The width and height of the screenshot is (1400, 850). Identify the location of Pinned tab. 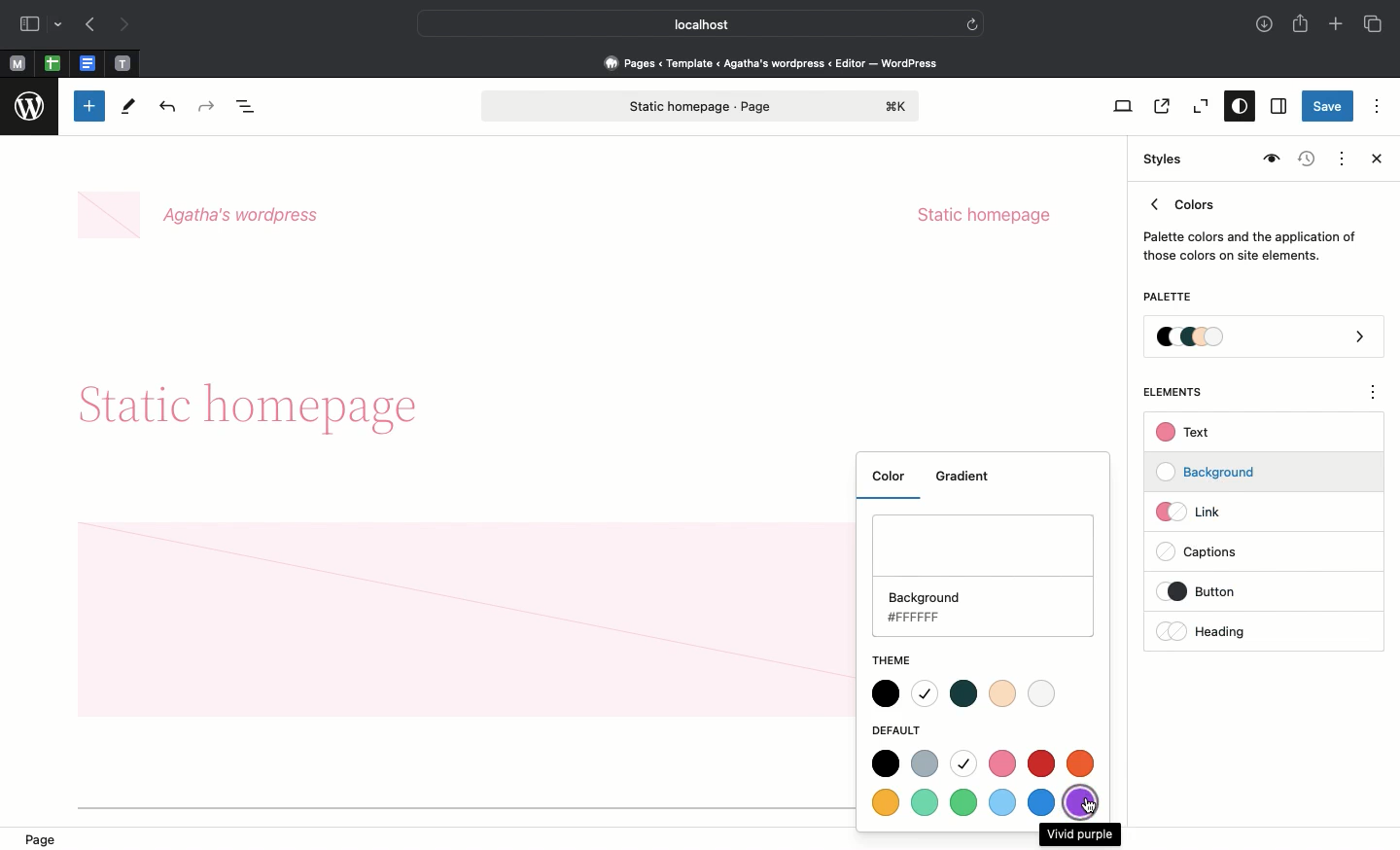
(17, 64).